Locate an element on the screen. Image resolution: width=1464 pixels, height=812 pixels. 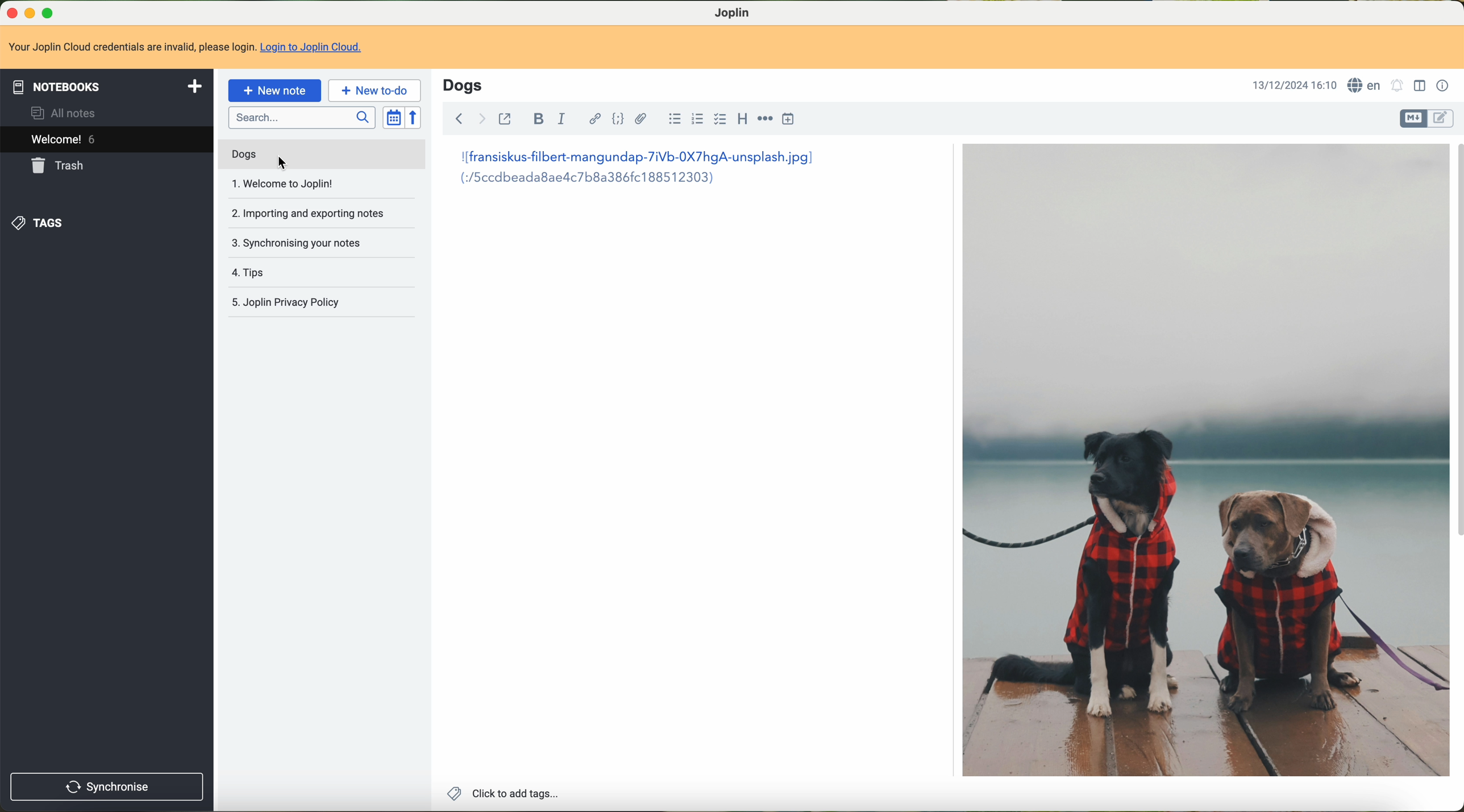
toggle editor layout is located at coordinates (1420, 85).